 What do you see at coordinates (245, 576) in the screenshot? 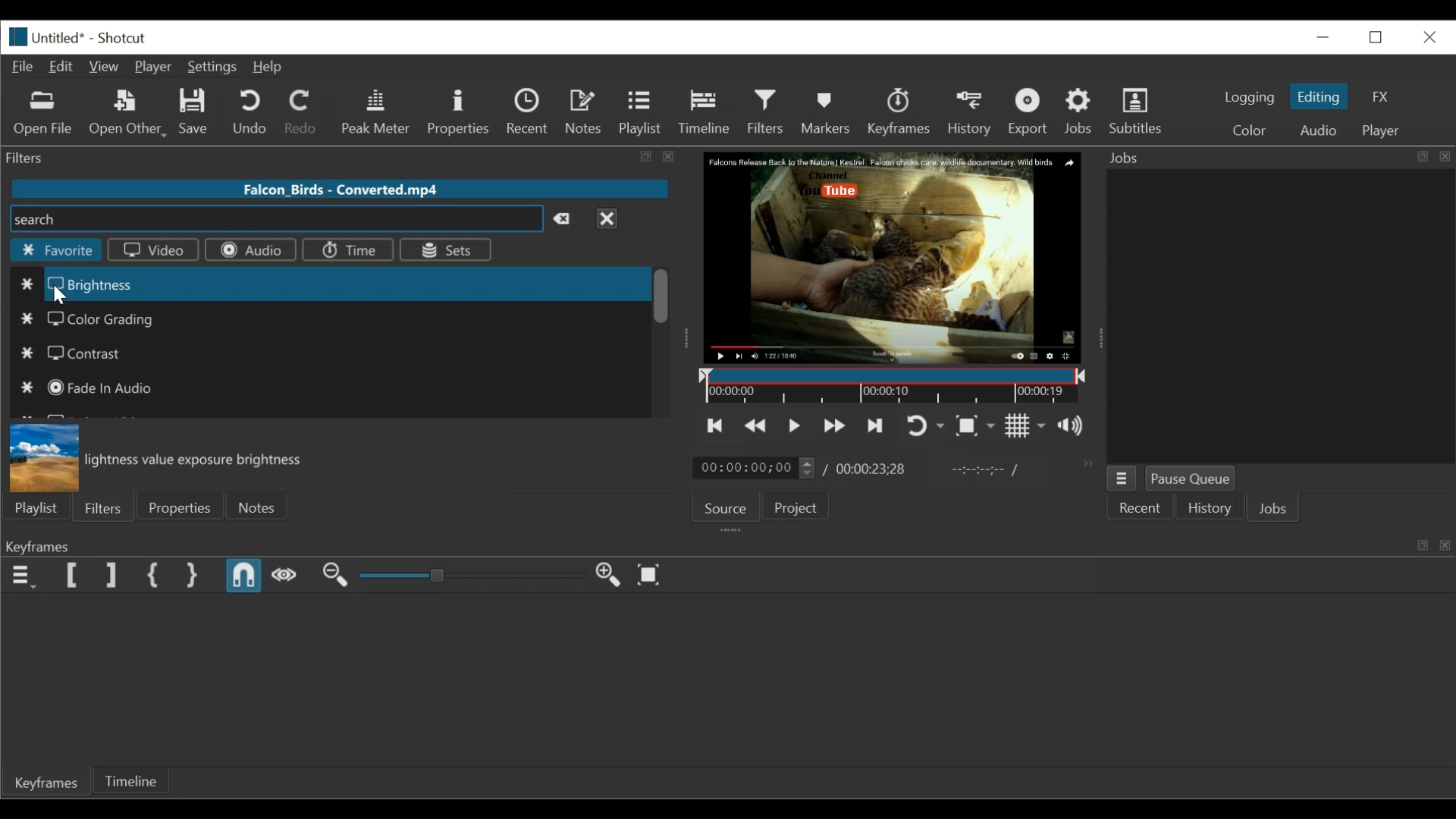
I see `Snap` at bounding box center [245, 576].